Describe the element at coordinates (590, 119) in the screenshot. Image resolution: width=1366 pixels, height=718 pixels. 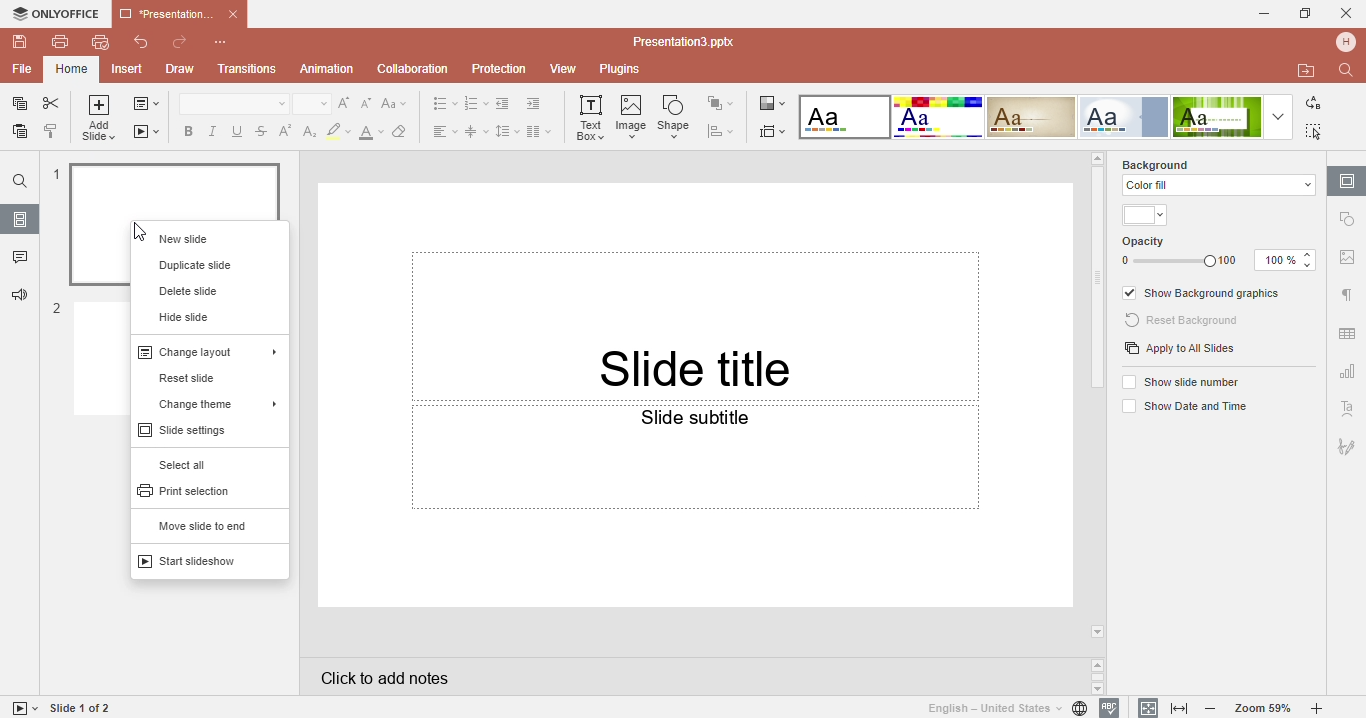
I see `Text box` at that location.